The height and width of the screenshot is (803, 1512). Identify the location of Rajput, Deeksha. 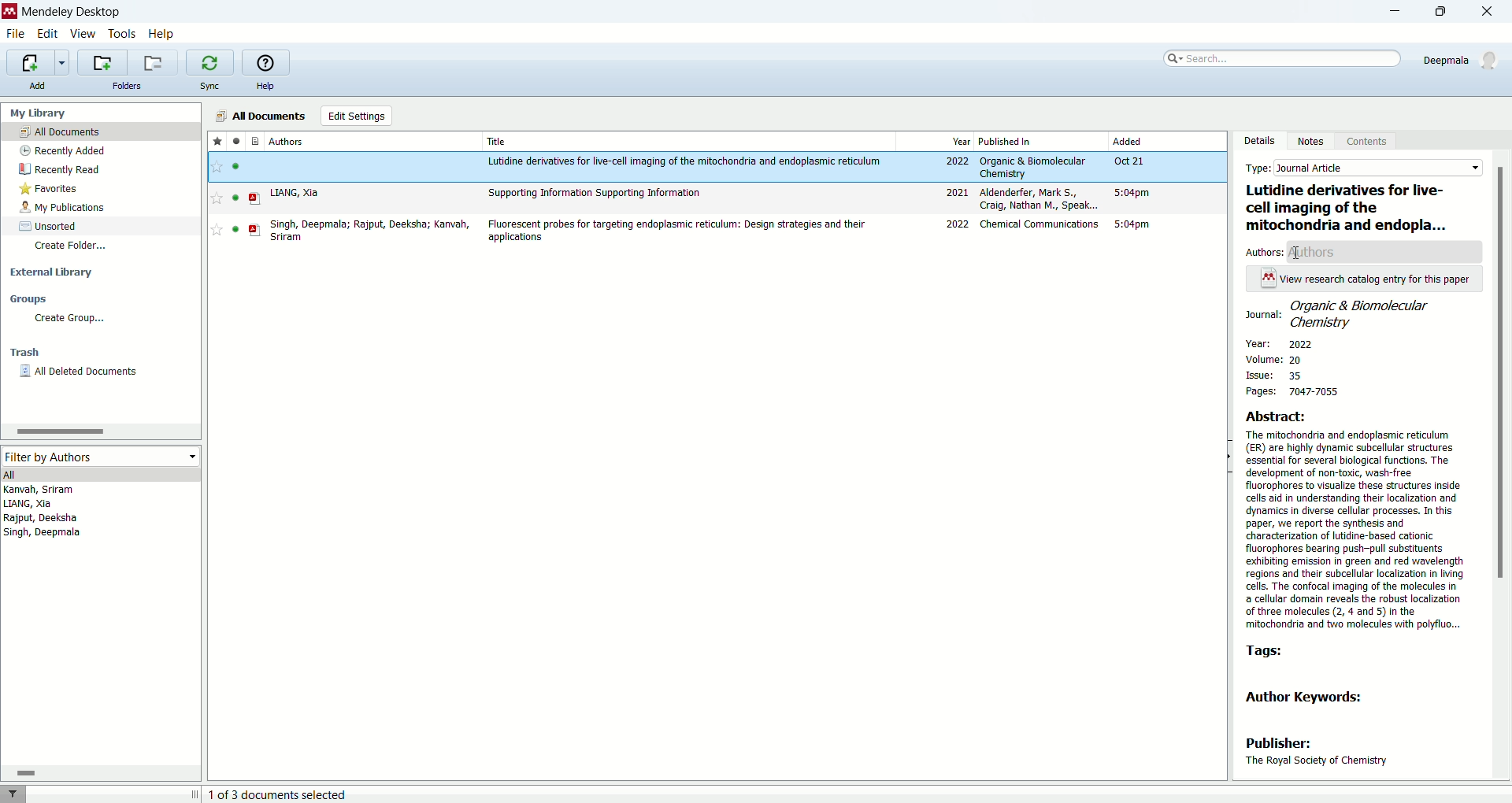
(39, 518).